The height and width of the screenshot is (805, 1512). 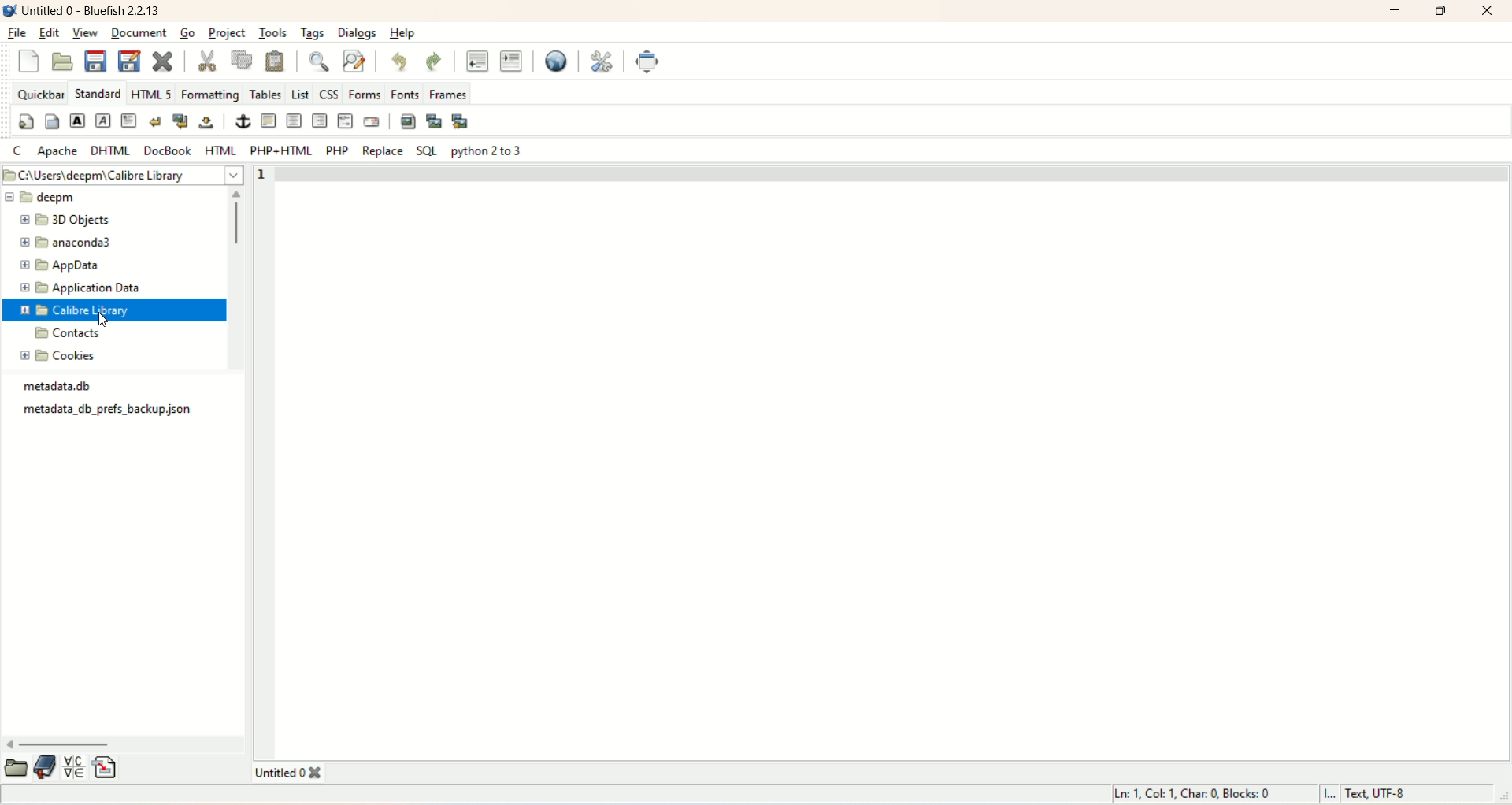 I want to click on contacts, so click(x=63, y=335).